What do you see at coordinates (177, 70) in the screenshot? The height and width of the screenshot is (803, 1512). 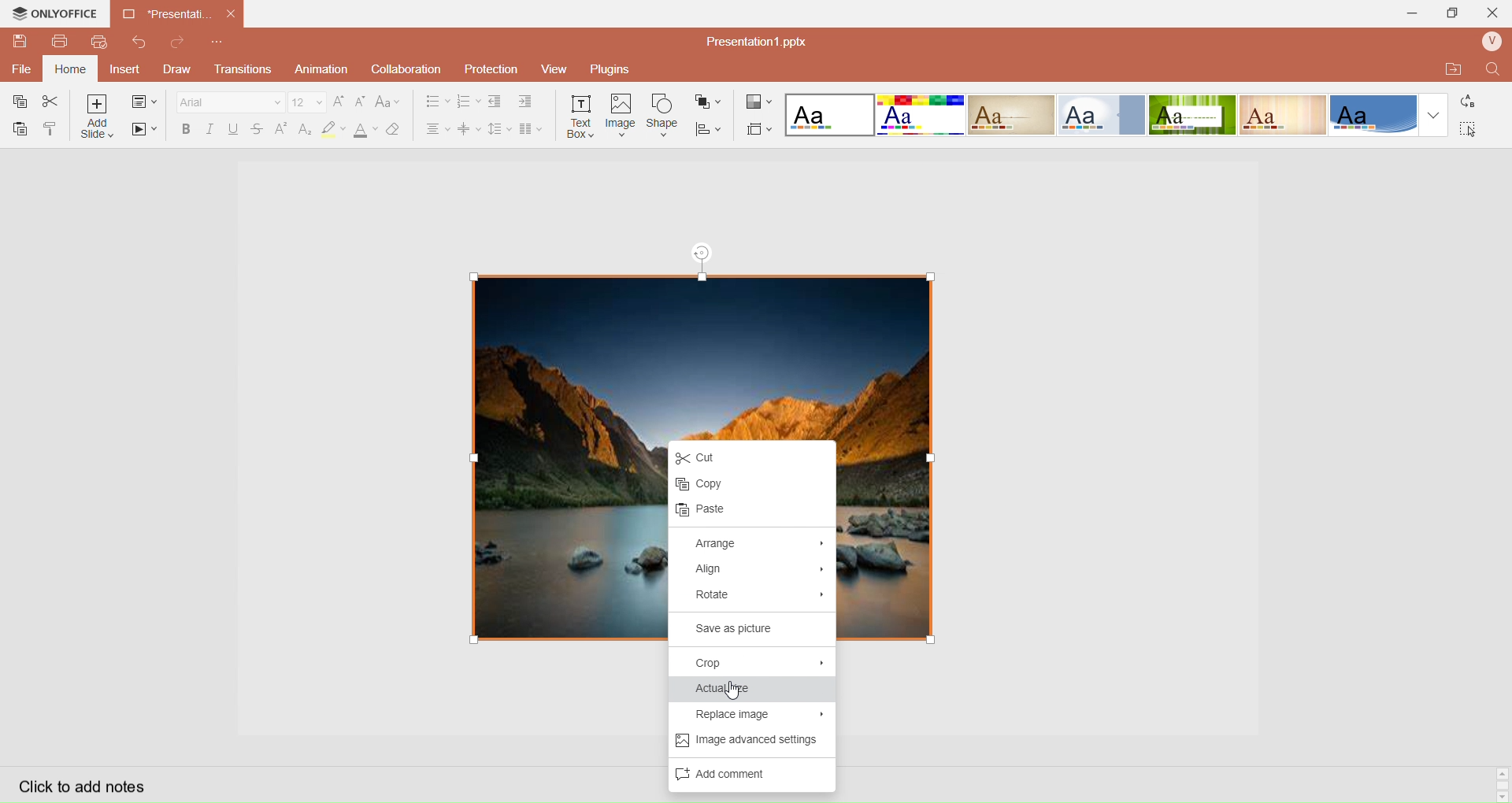 I see `Draw` at bounding box center [177, 70].